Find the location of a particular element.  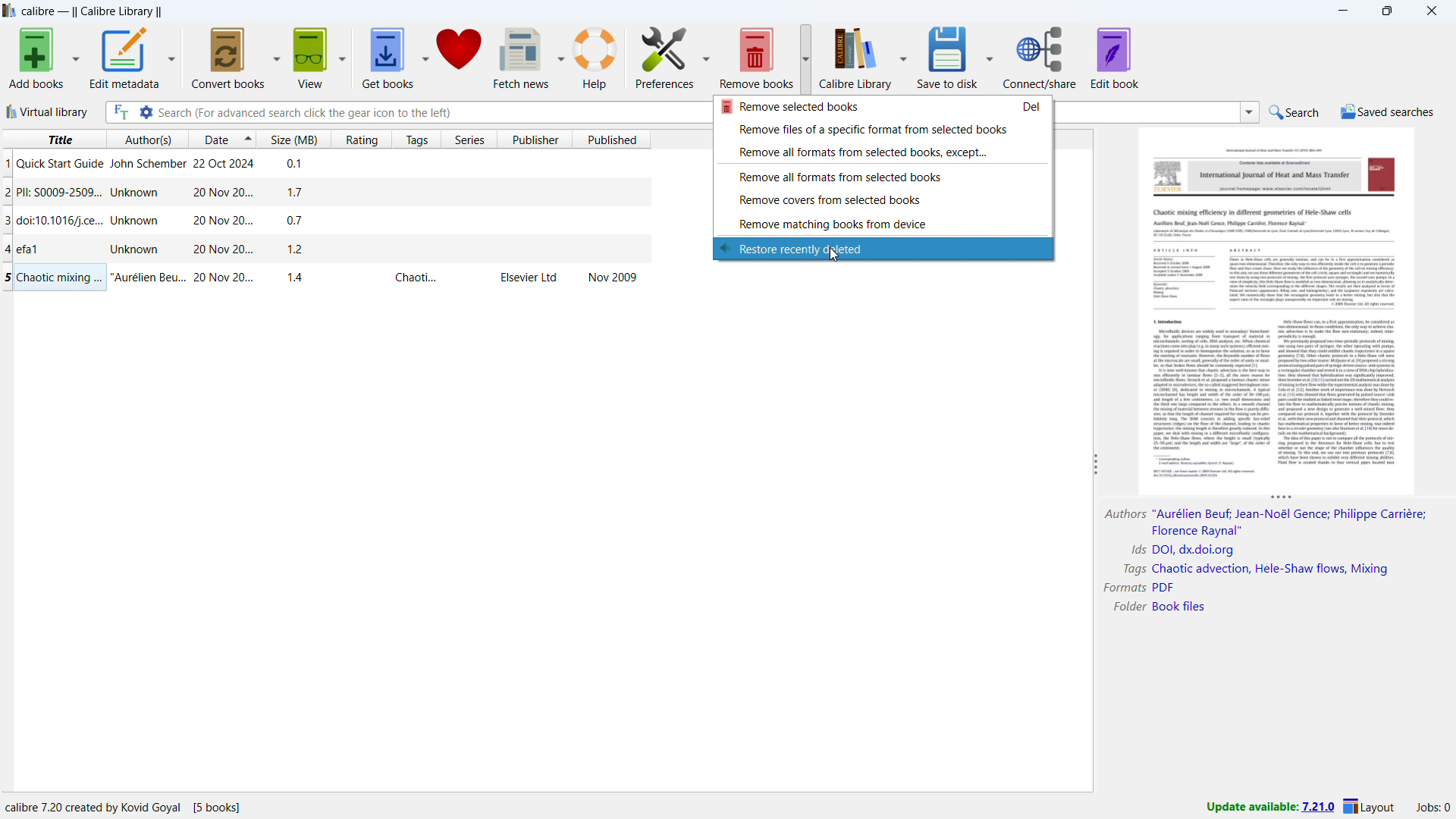

fetch news is located at coordinates (521, 58).